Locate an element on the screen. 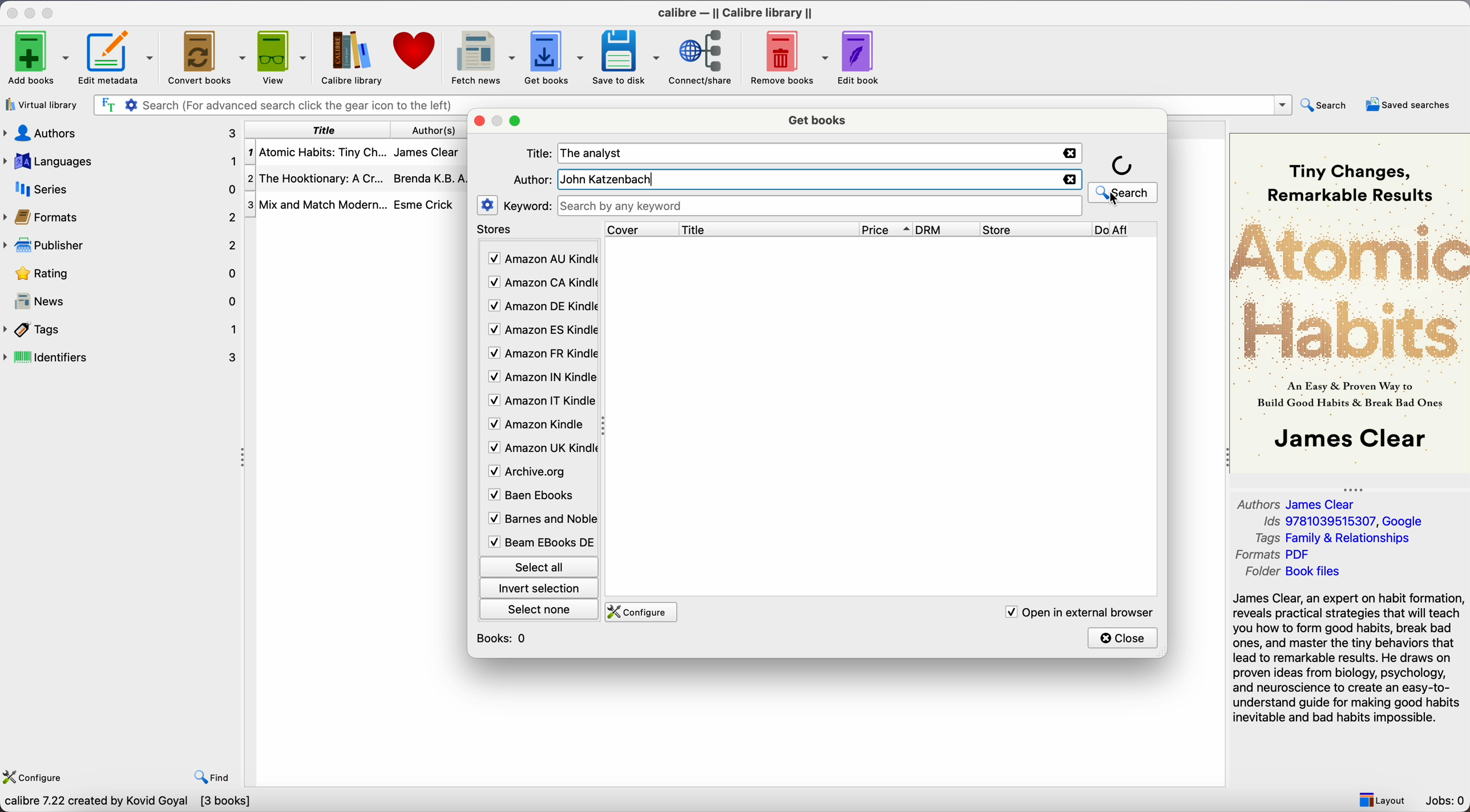 Image resolution: width=1470 pixels, height=812 pixels. Amazon Kindle is located at coordinates (538, 426).